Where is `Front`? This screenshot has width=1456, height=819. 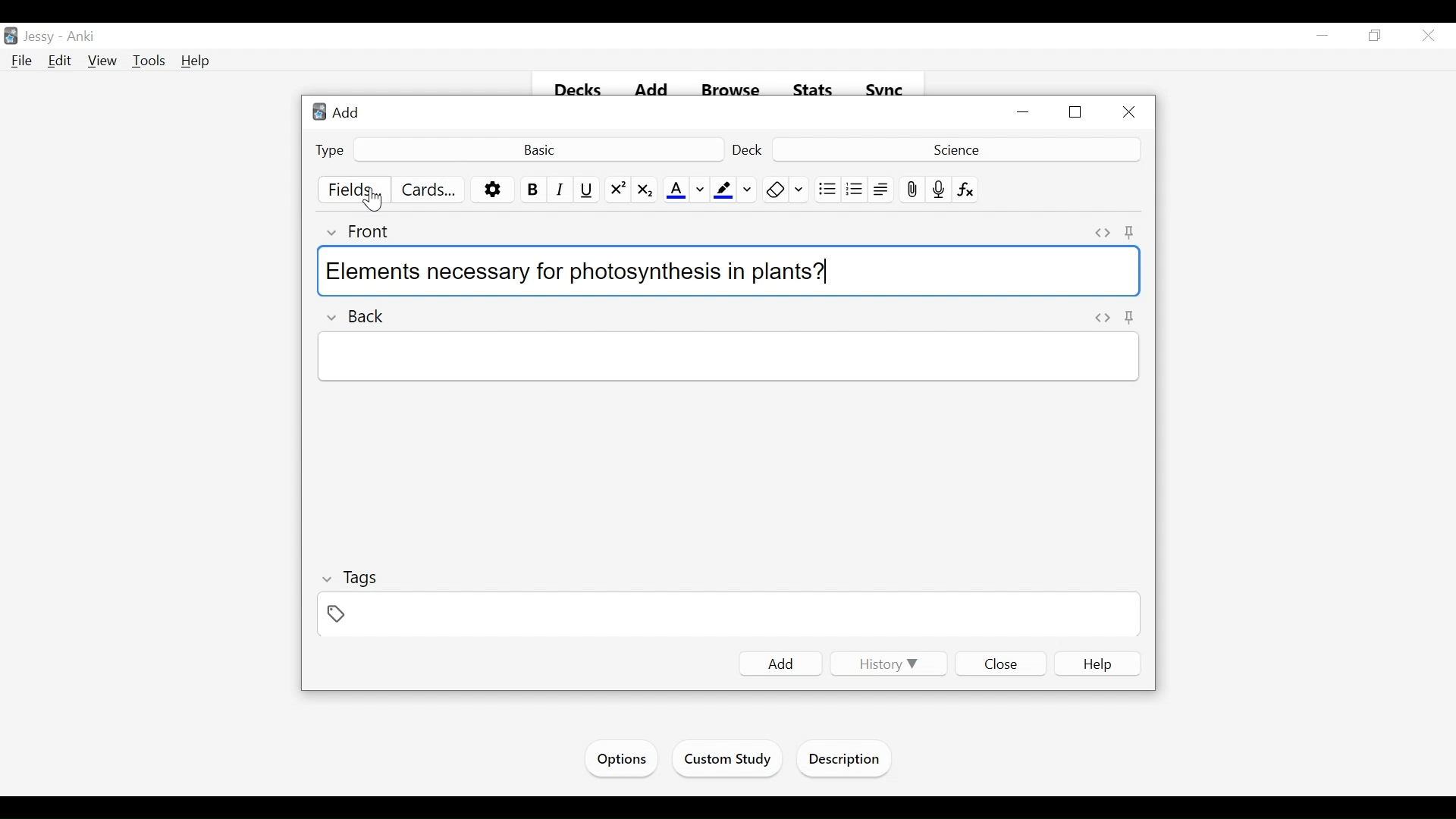 Front is located at coordinates (367, 231).